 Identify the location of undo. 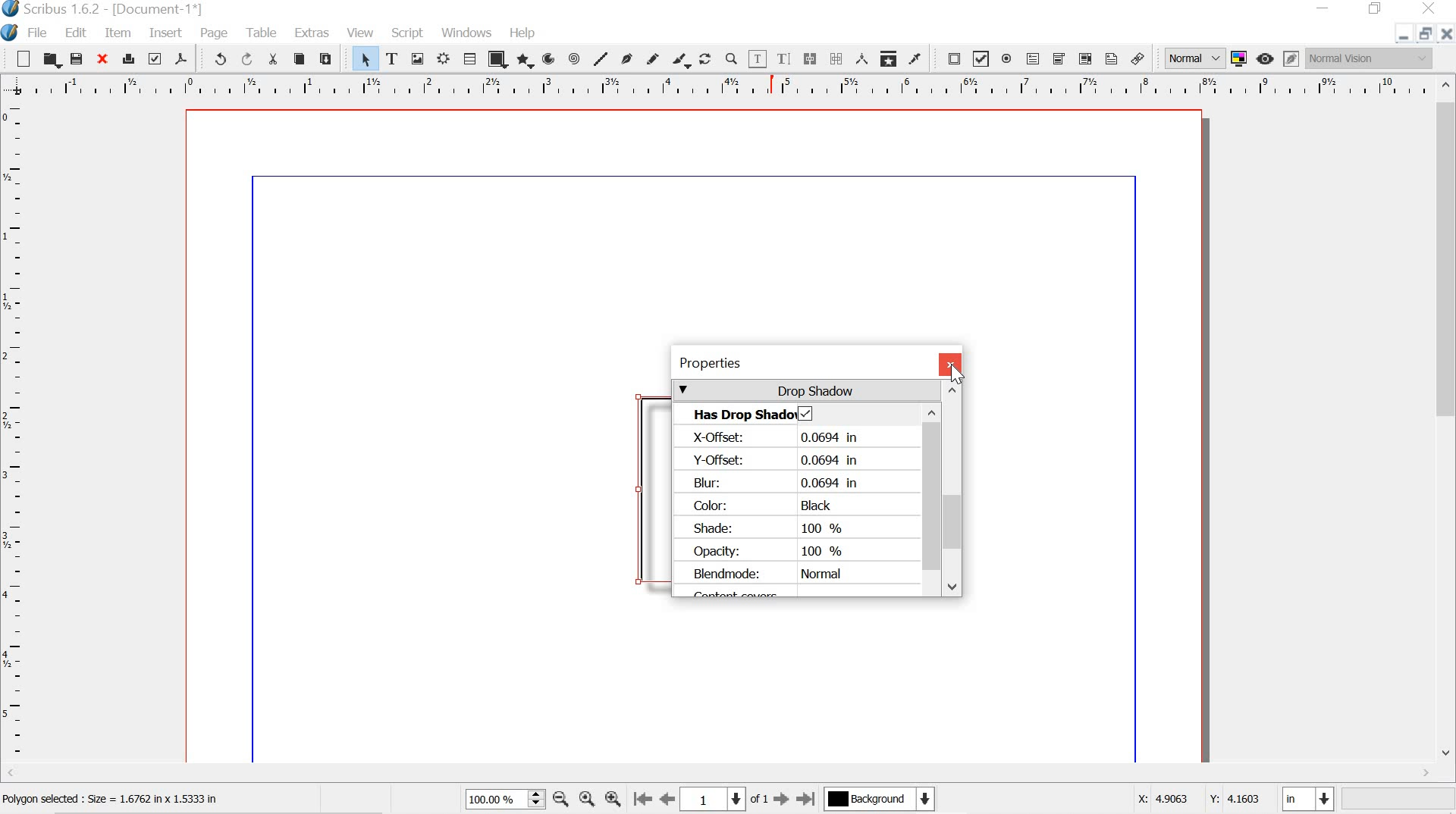
(214, 58).